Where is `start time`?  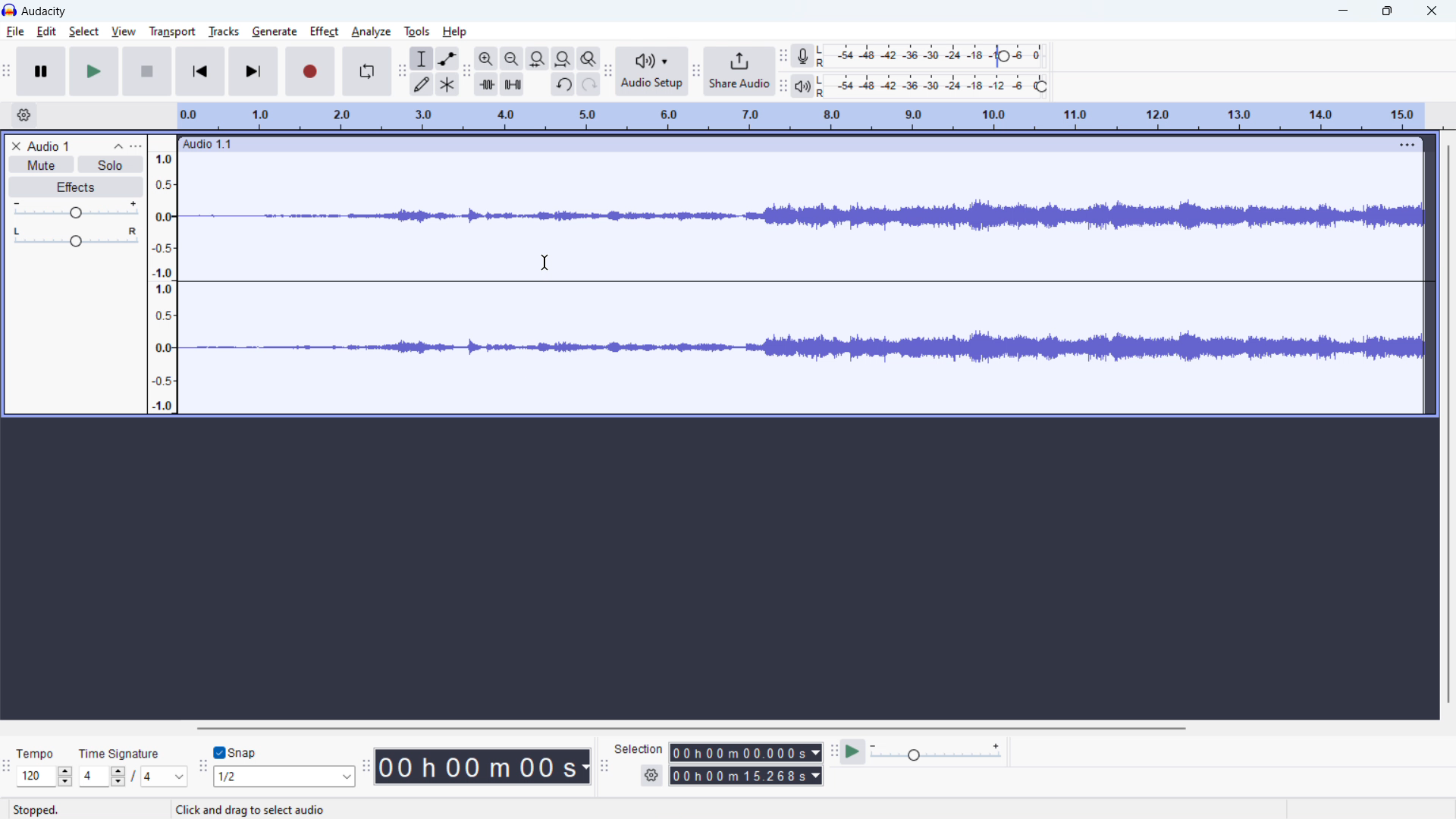
start time is located at coordinates (746, 752).